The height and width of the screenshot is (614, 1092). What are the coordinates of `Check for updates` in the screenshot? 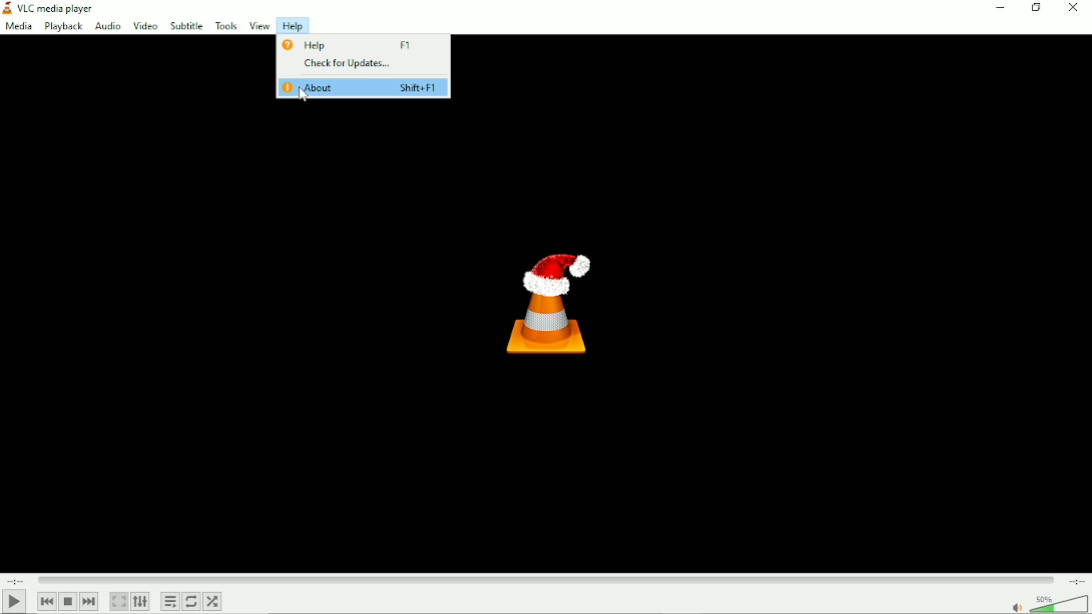 It's located at (362, 64).